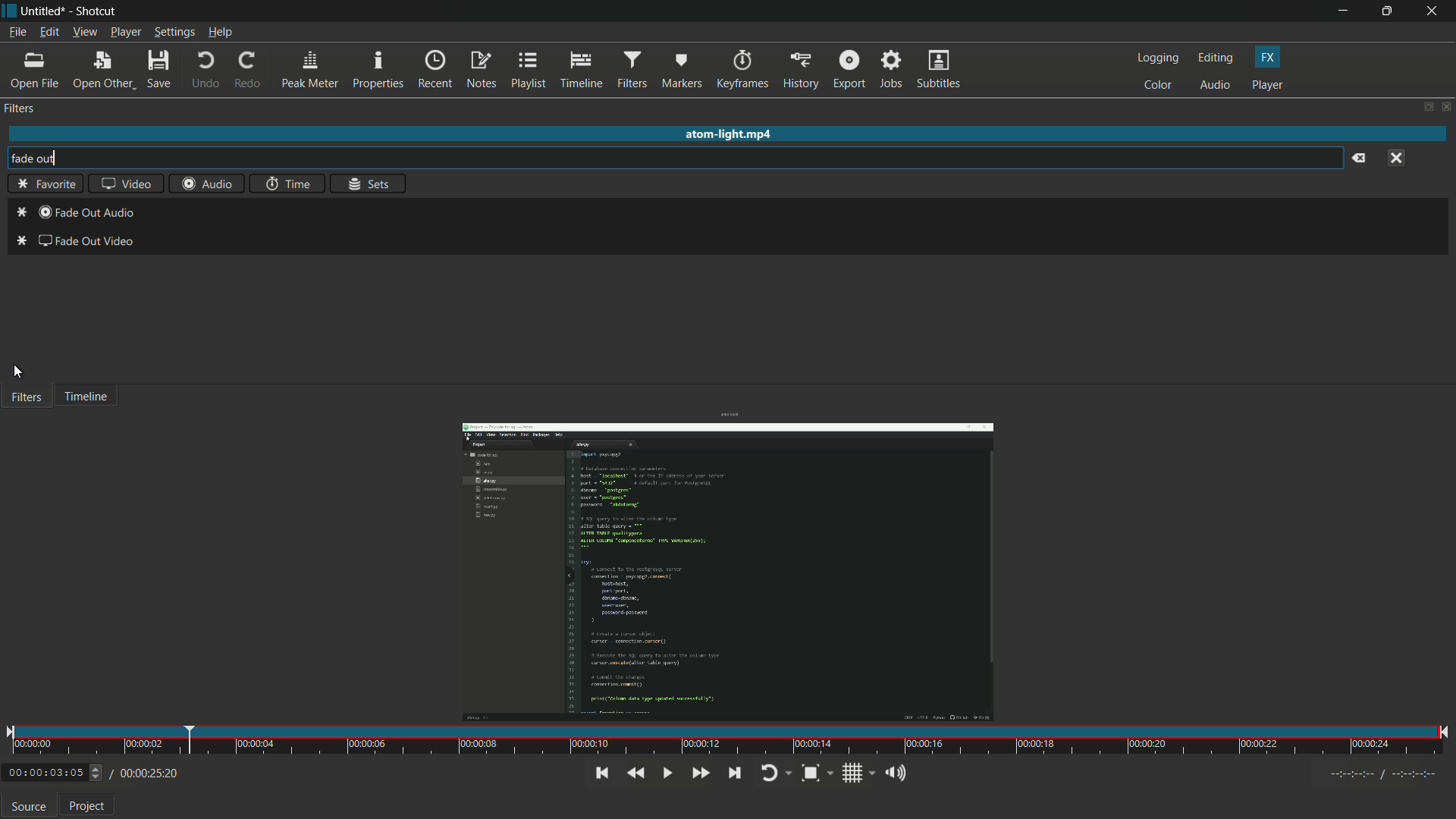 This screenshot has height=819, width=1456. What do you see at coordinates (667, 773) in the screenshot?
I see `toggle play or pause` at bounding box center [667, 773].